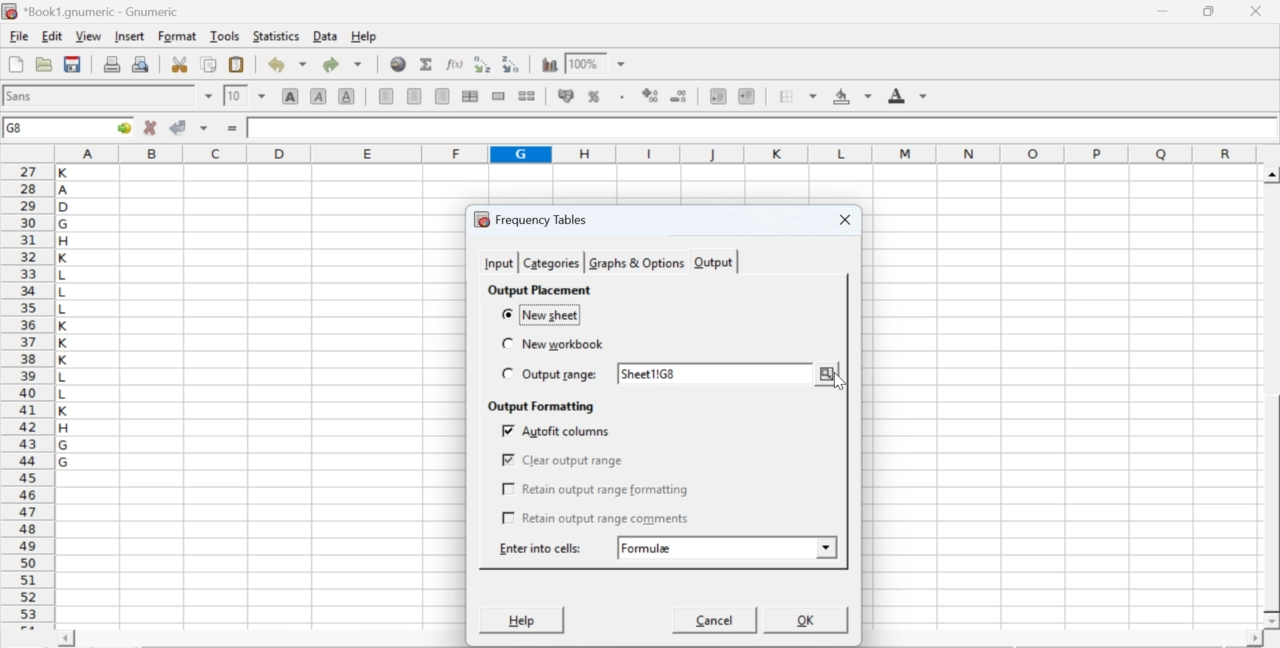 This screenshot has width=1280, height=648. I want to click on statistics, so click(274, 36).